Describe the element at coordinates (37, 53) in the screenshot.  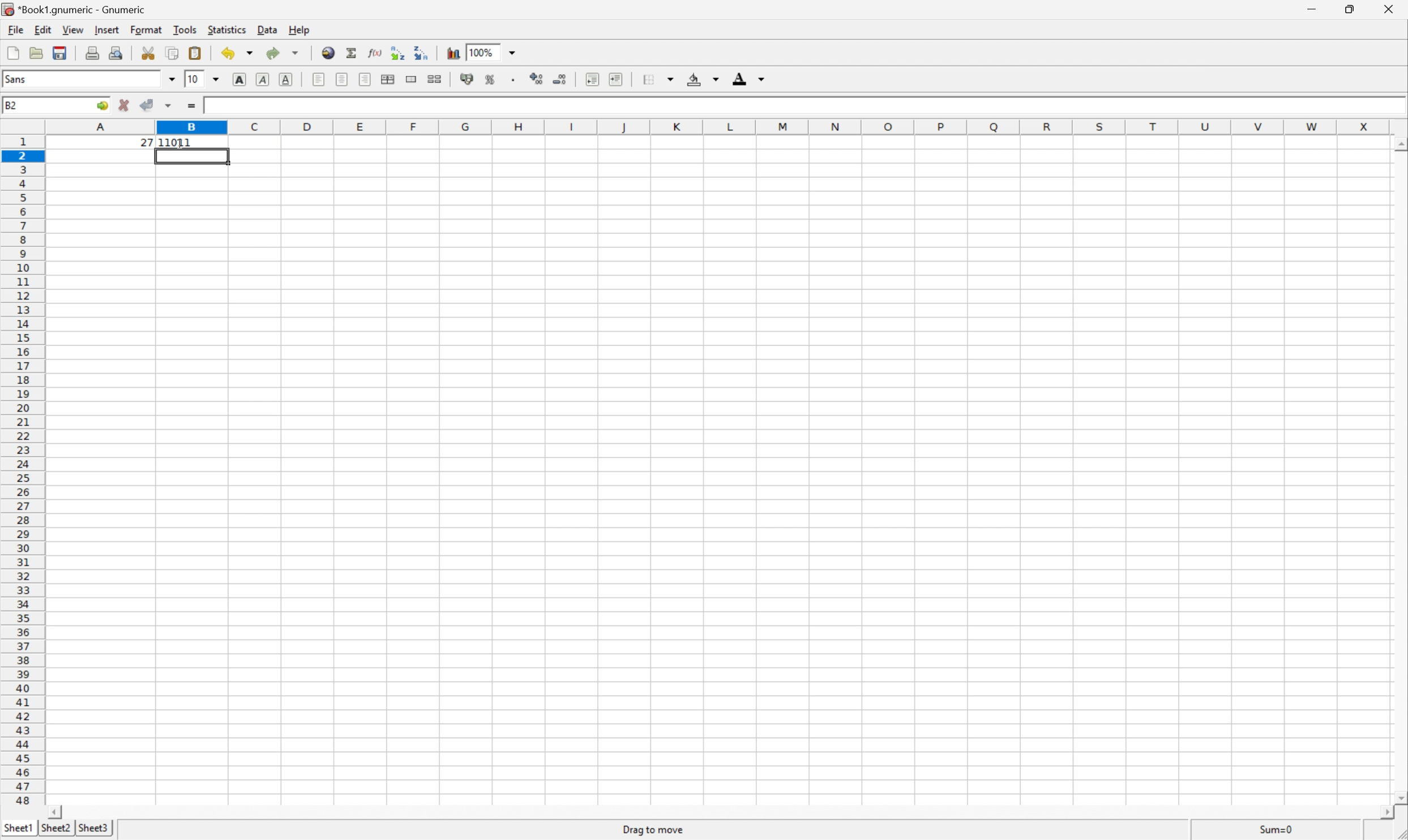
I see `Open a file` at that location.